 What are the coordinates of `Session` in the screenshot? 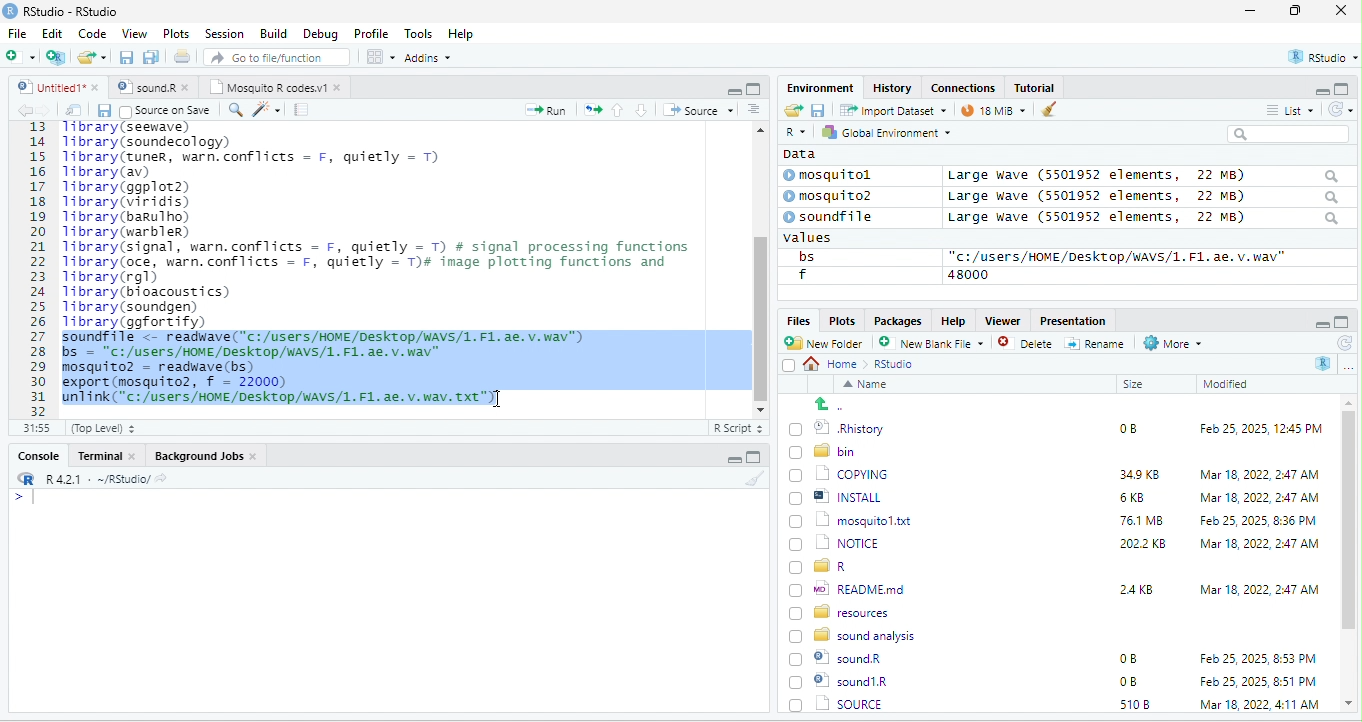 It's located at (225, 32).